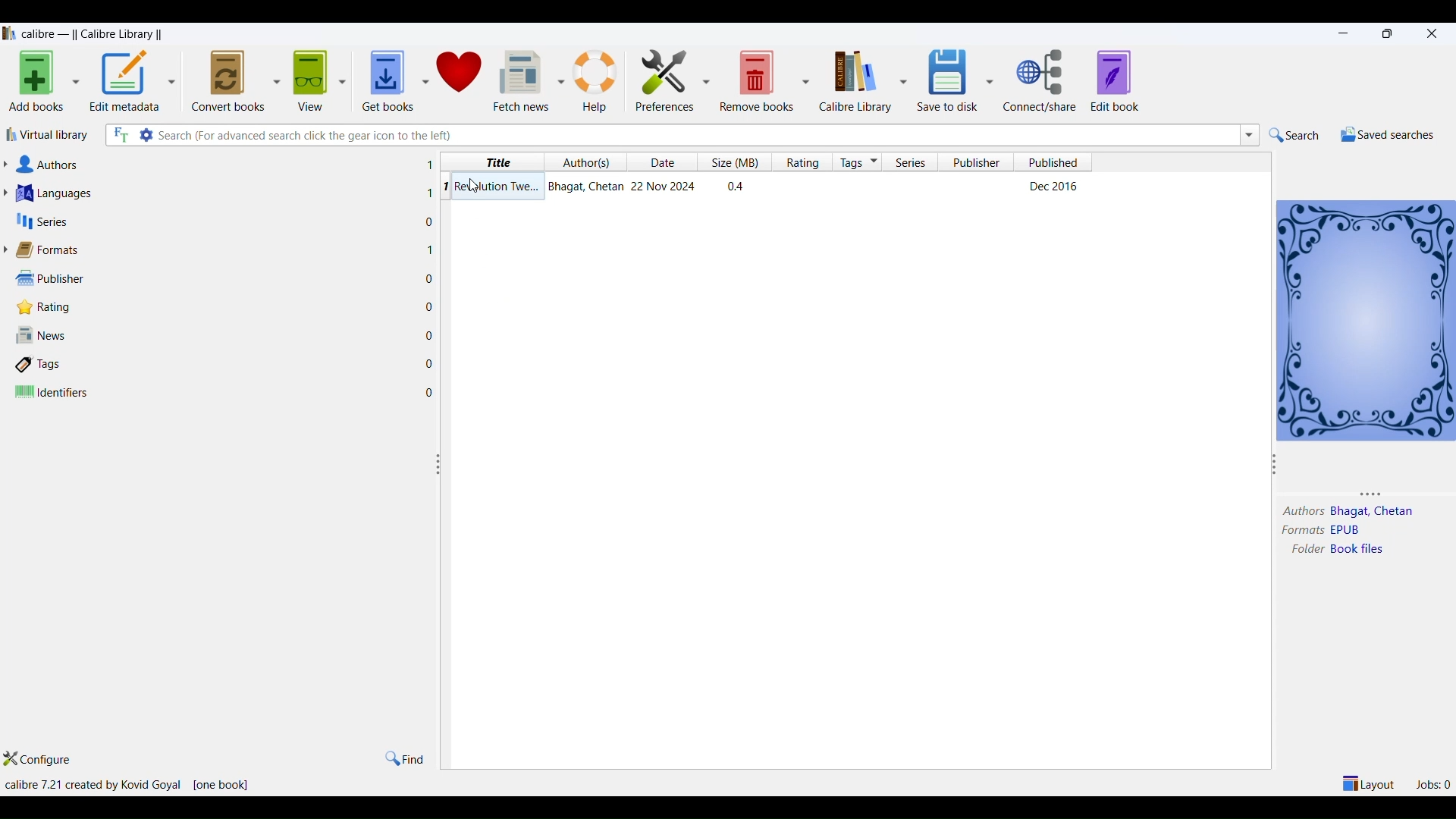 The width and height of the screenshot is (1456, 819). What do you see at coordinates (34, 80) in the screenshot?
I see `add books ` at bounding box center [34, 80].